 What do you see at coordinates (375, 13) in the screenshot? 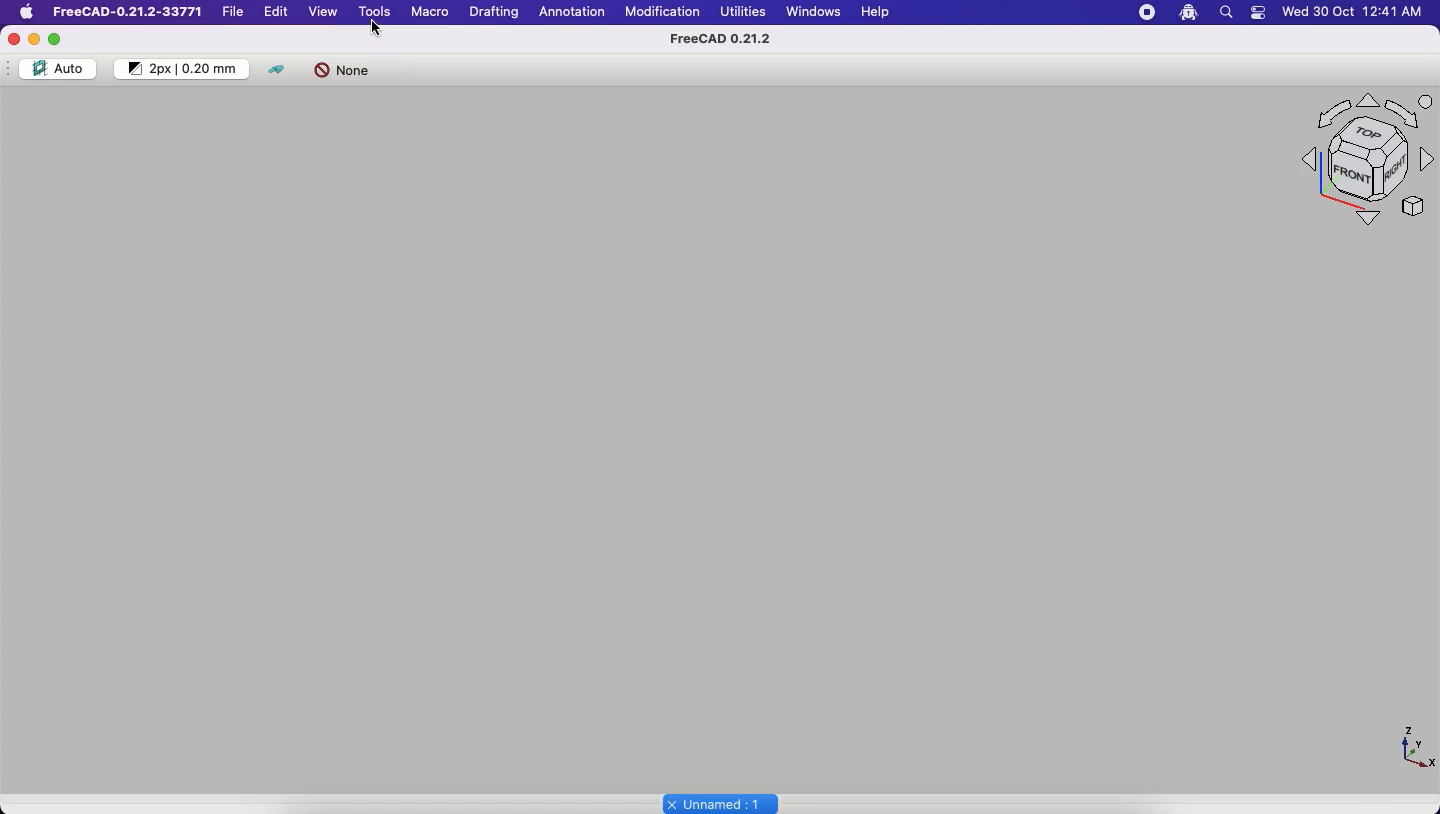
I see `Tools` at bounding box center [375, 13].